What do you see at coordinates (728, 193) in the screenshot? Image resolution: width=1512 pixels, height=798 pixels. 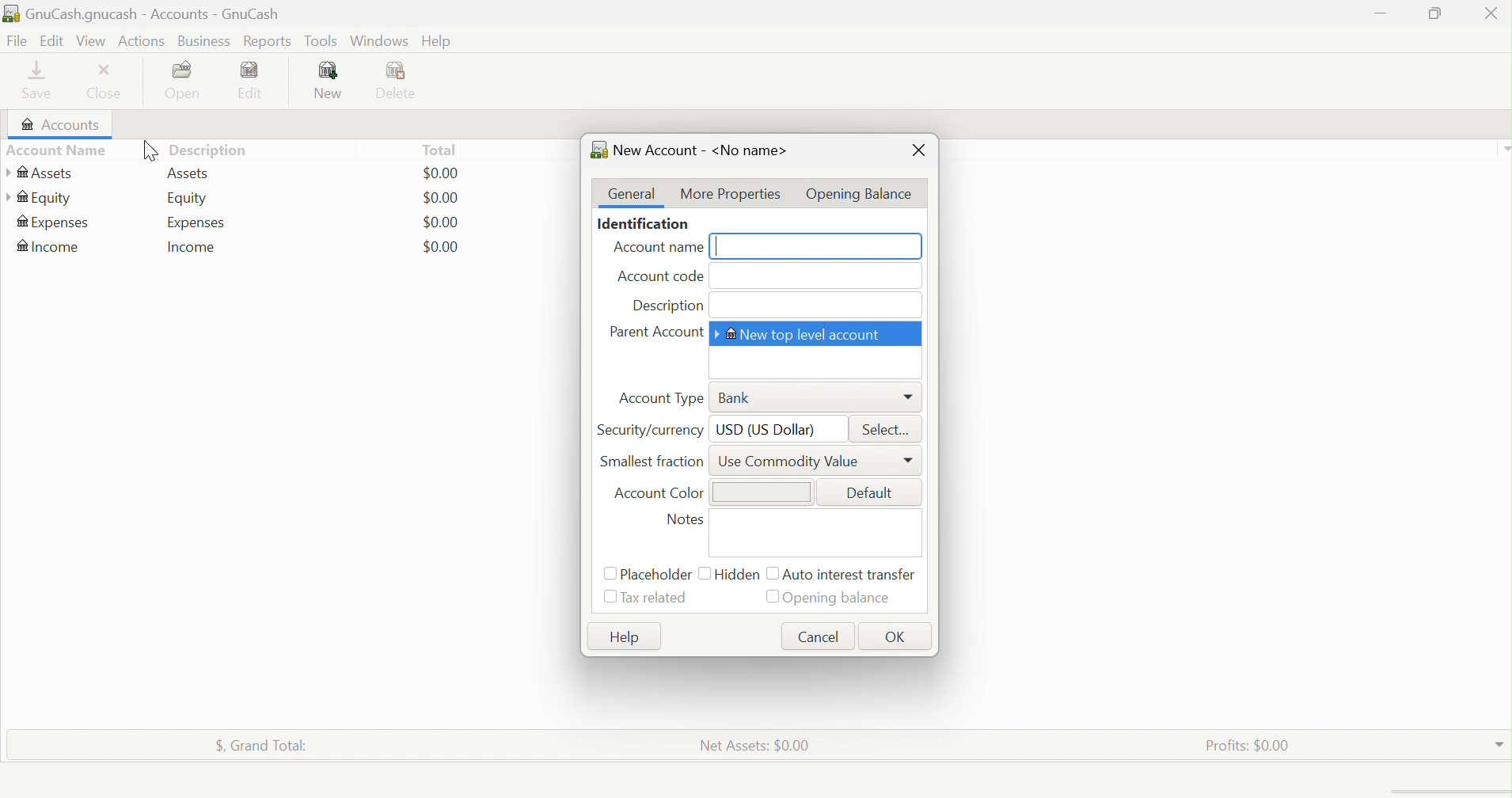 I see `More Properties` at bounding box center [728, 193].